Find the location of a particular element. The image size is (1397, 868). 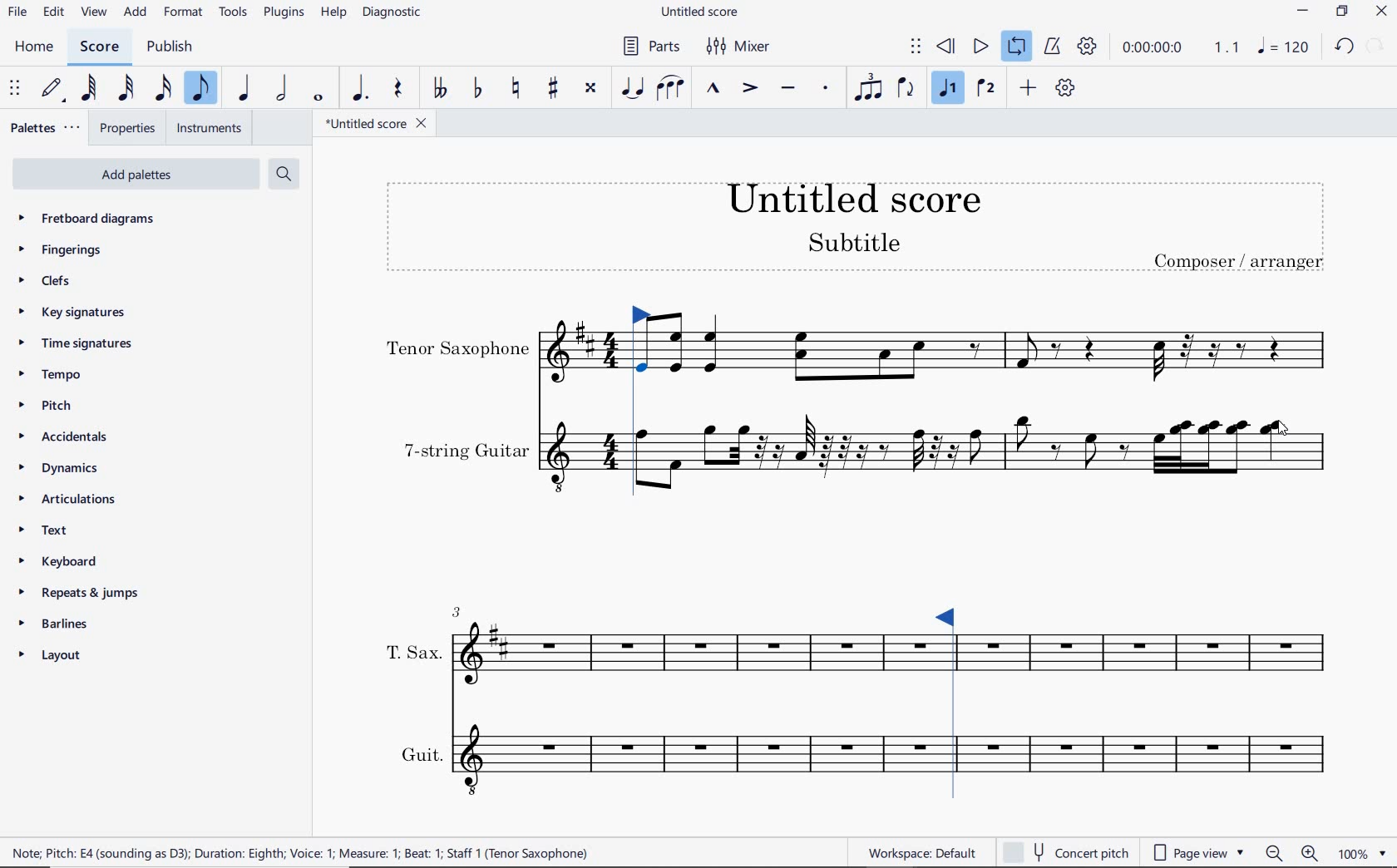

VOICE 2 is located at coordinates (988, 89).